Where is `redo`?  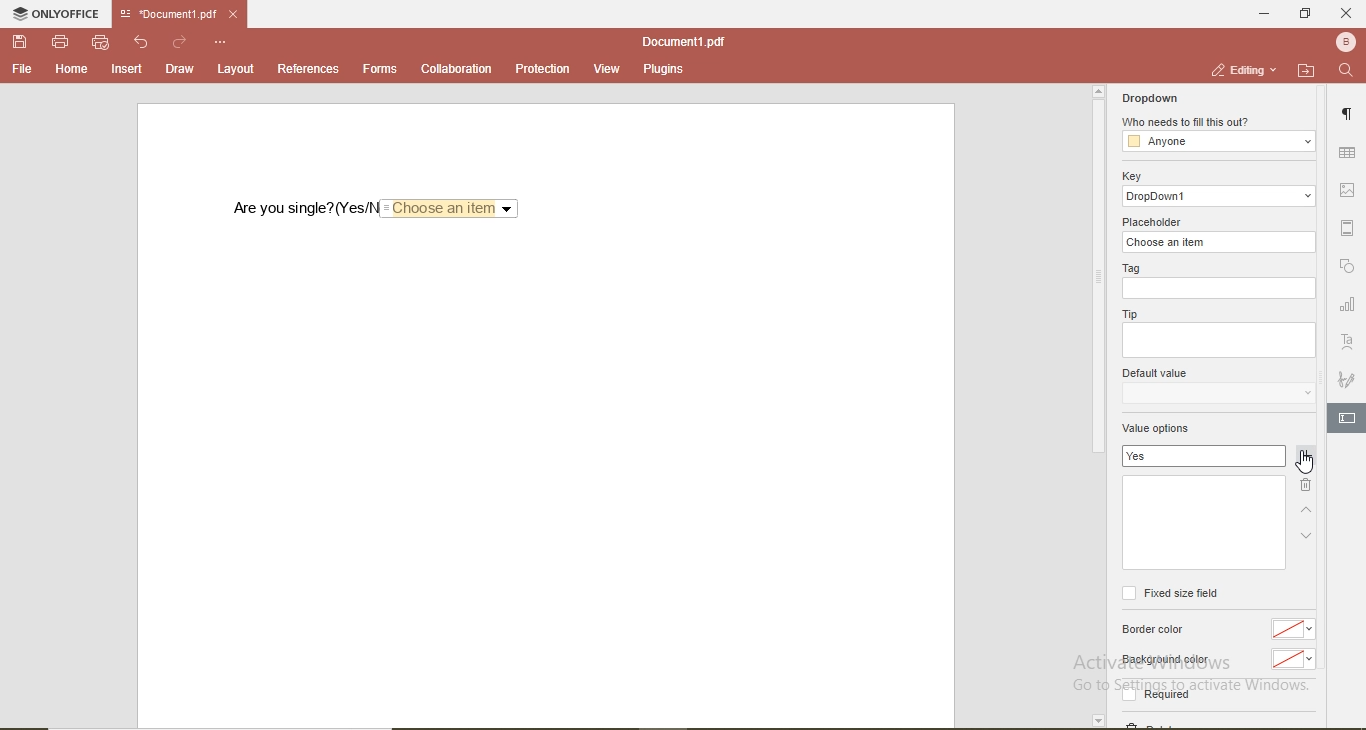
redo is located at coordinates (180, 43).